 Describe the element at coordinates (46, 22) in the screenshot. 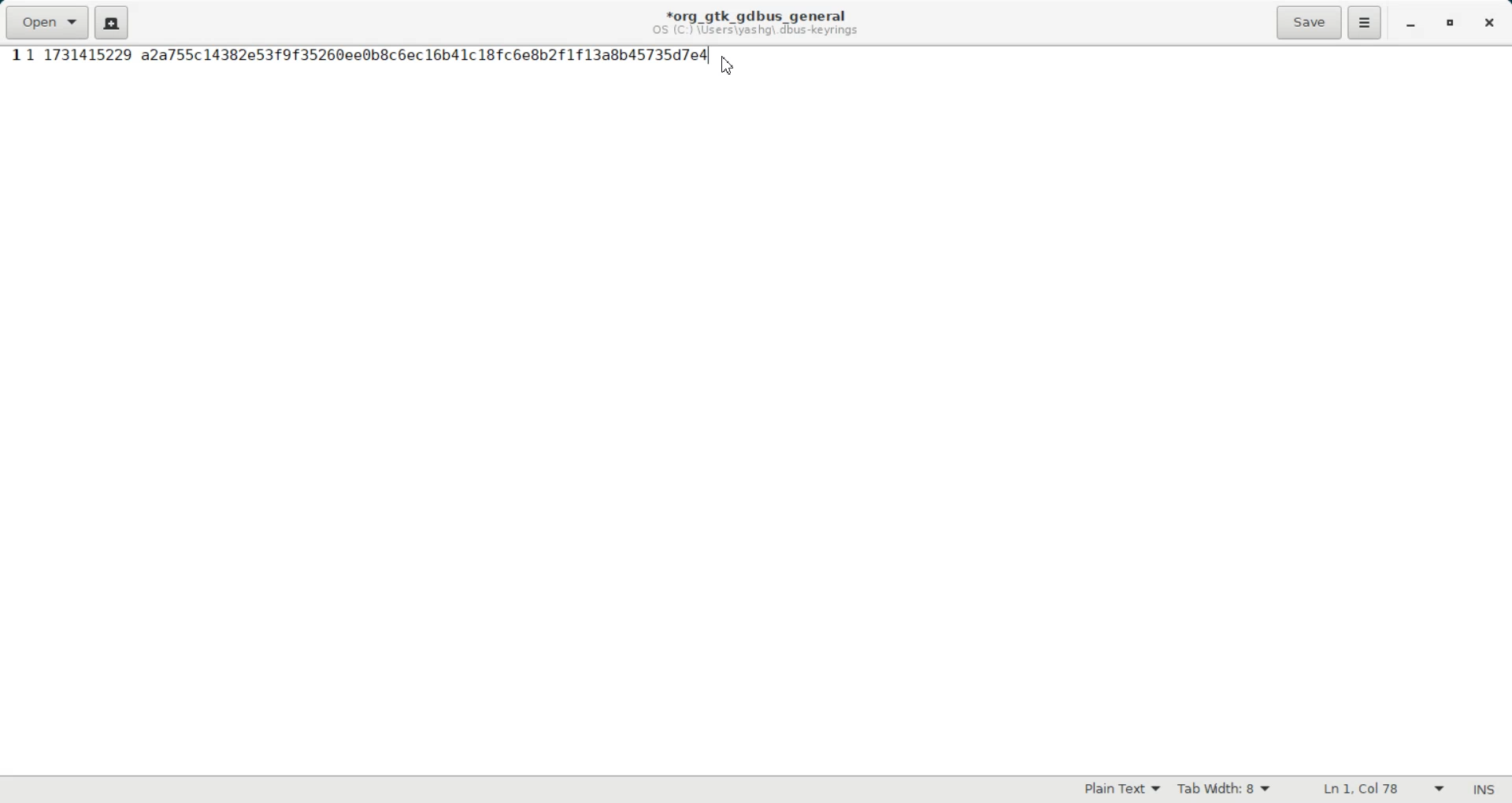

I see `Open a file` at that location.